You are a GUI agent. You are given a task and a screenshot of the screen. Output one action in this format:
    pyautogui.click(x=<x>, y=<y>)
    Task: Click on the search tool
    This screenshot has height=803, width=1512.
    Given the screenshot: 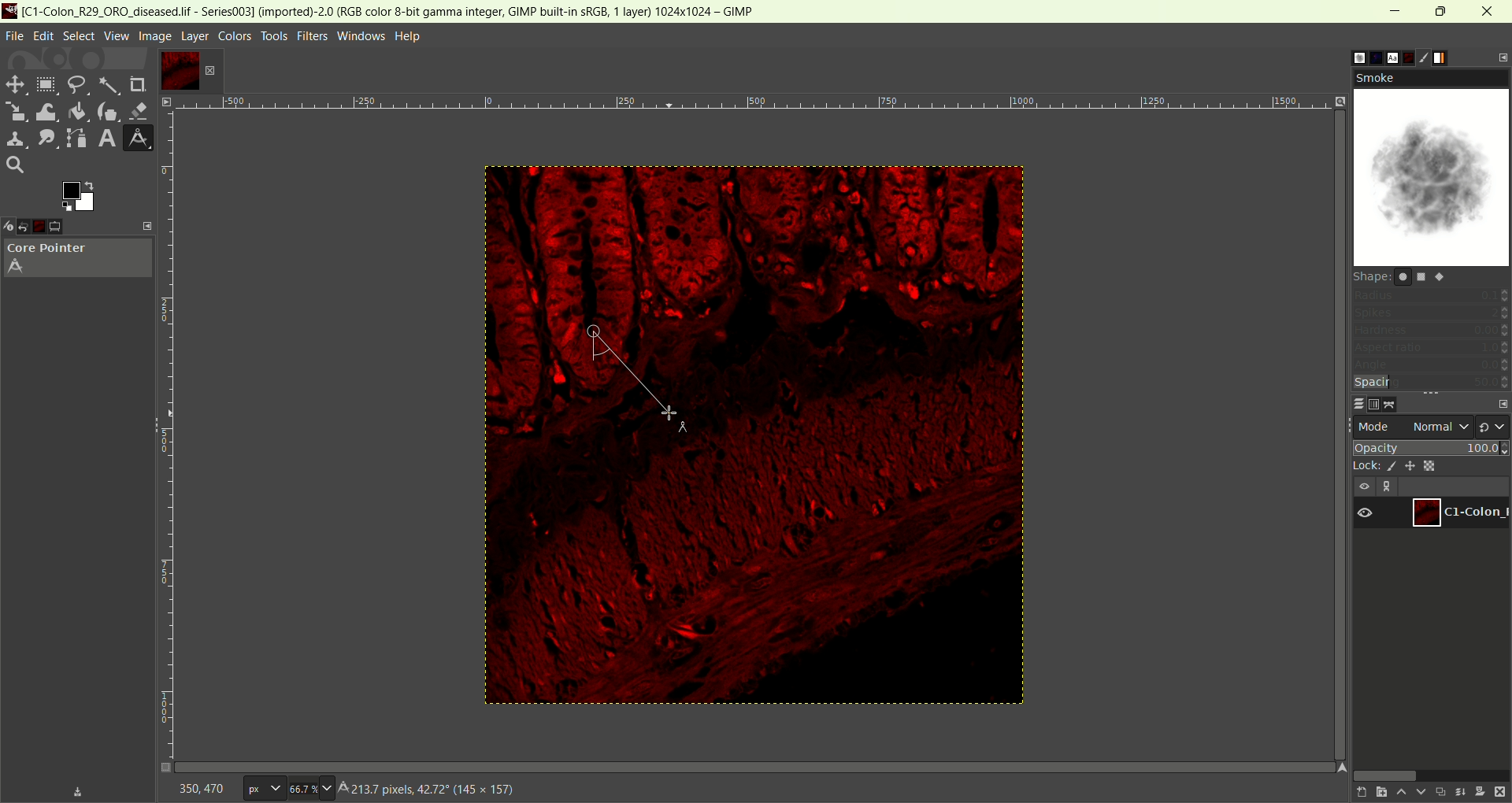 What is the action you would take?
    pyautogui.click(x=15, y=164)
    